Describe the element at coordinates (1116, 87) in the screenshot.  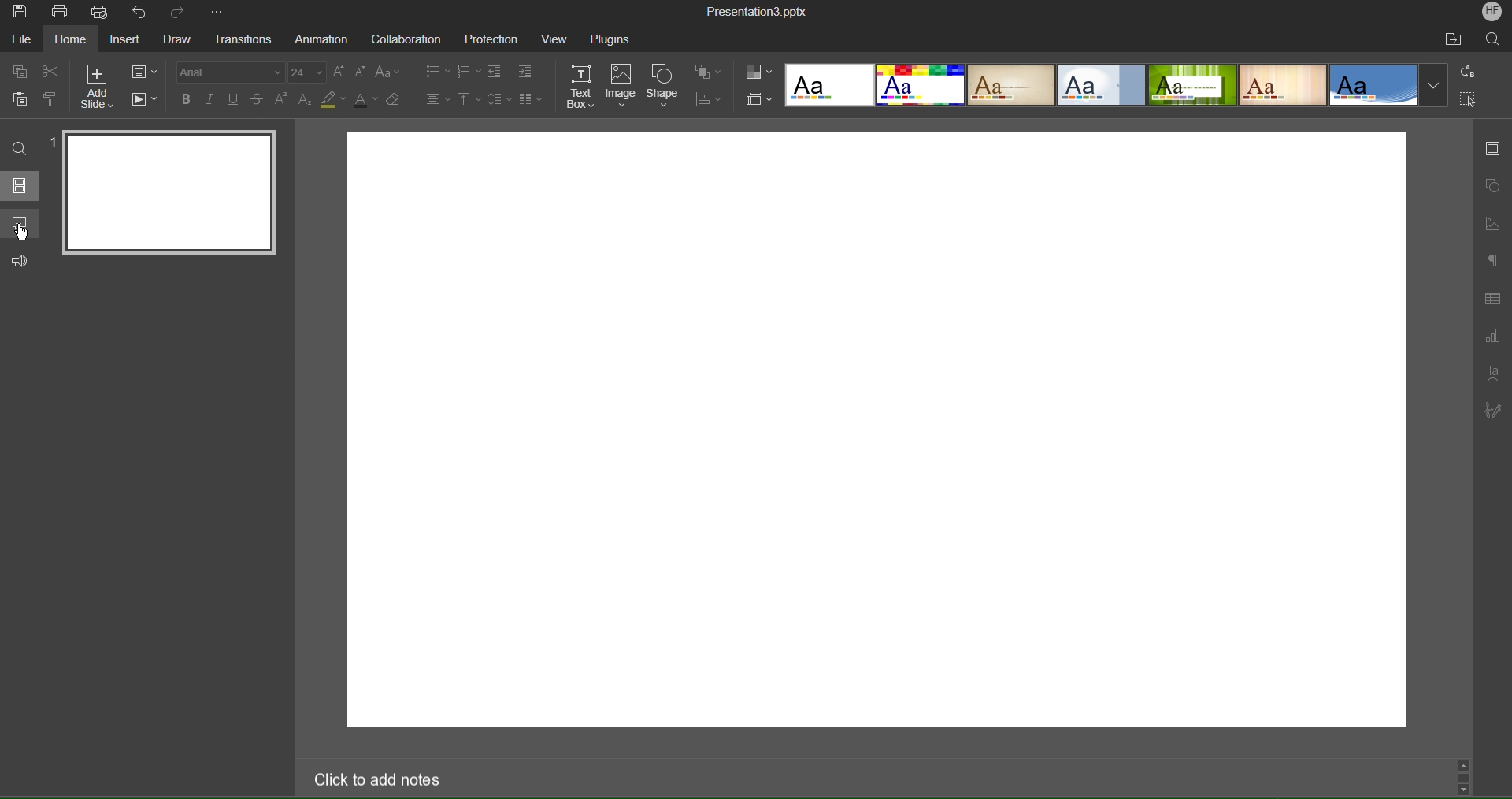
I see `Slide Templates` at that location.